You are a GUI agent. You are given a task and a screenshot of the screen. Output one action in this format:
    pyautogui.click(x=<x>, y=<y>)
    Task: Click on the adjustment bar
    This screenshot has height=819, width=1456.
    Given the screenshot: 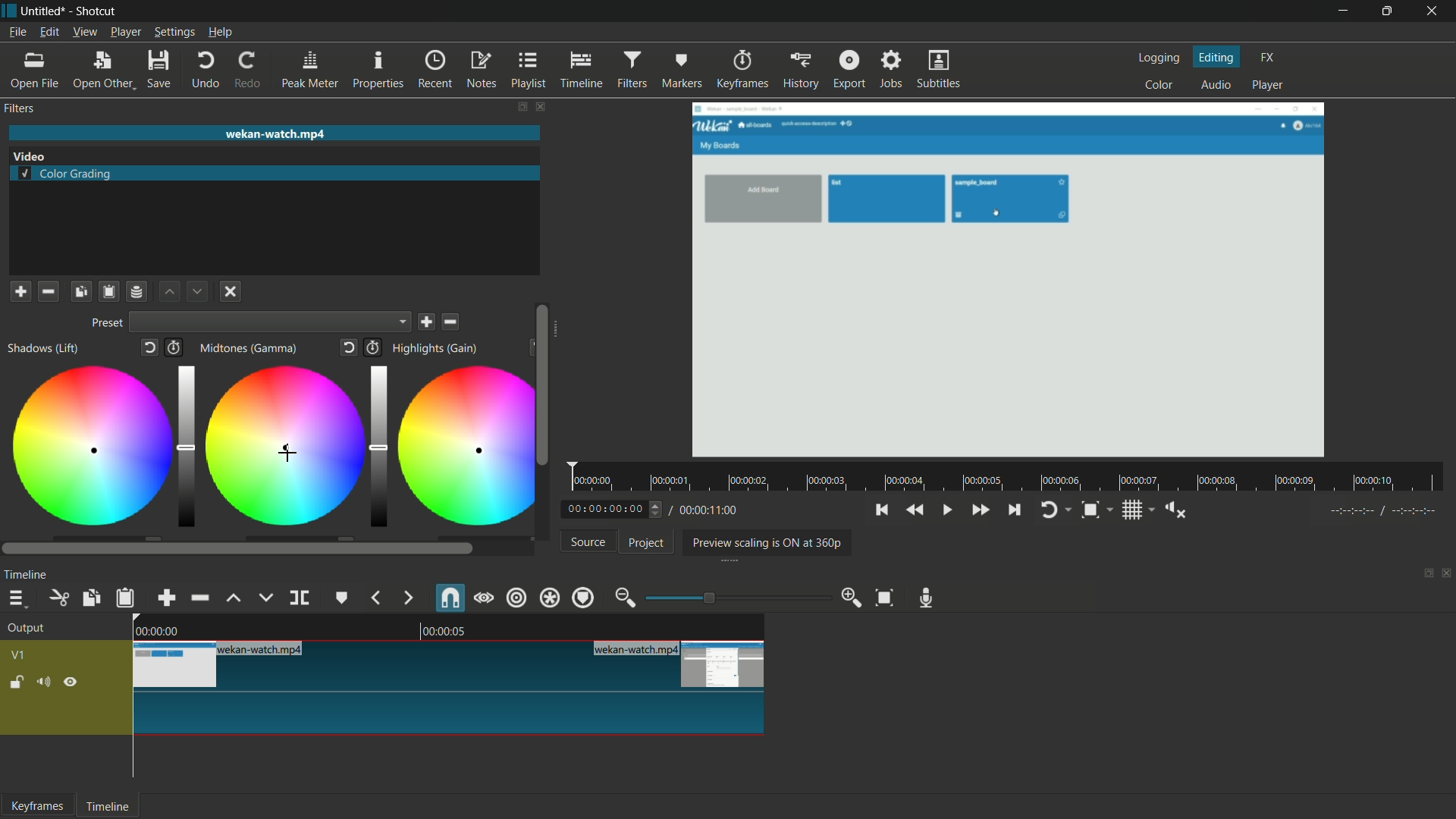 What is the action you would take?
    pyautogui.click(x=732, y=598)
    